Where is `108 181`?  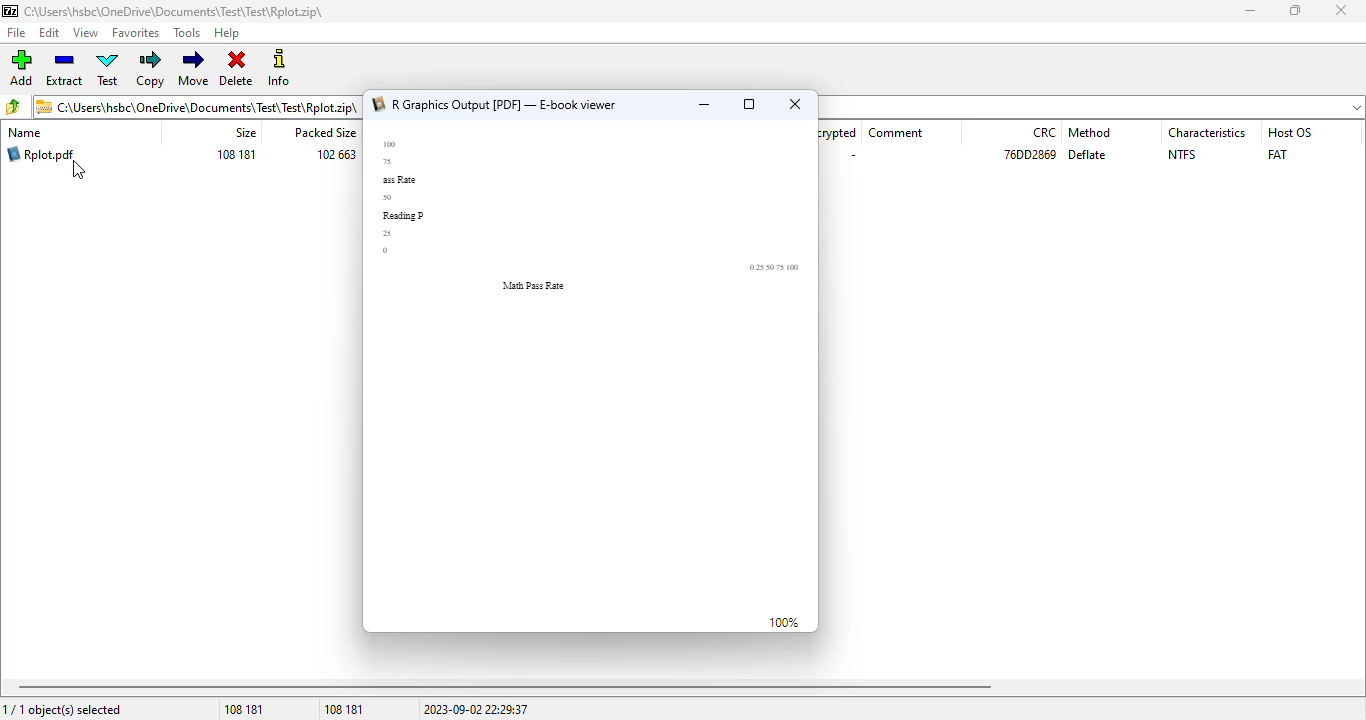
108 181 is located at coordinates (236, 155).